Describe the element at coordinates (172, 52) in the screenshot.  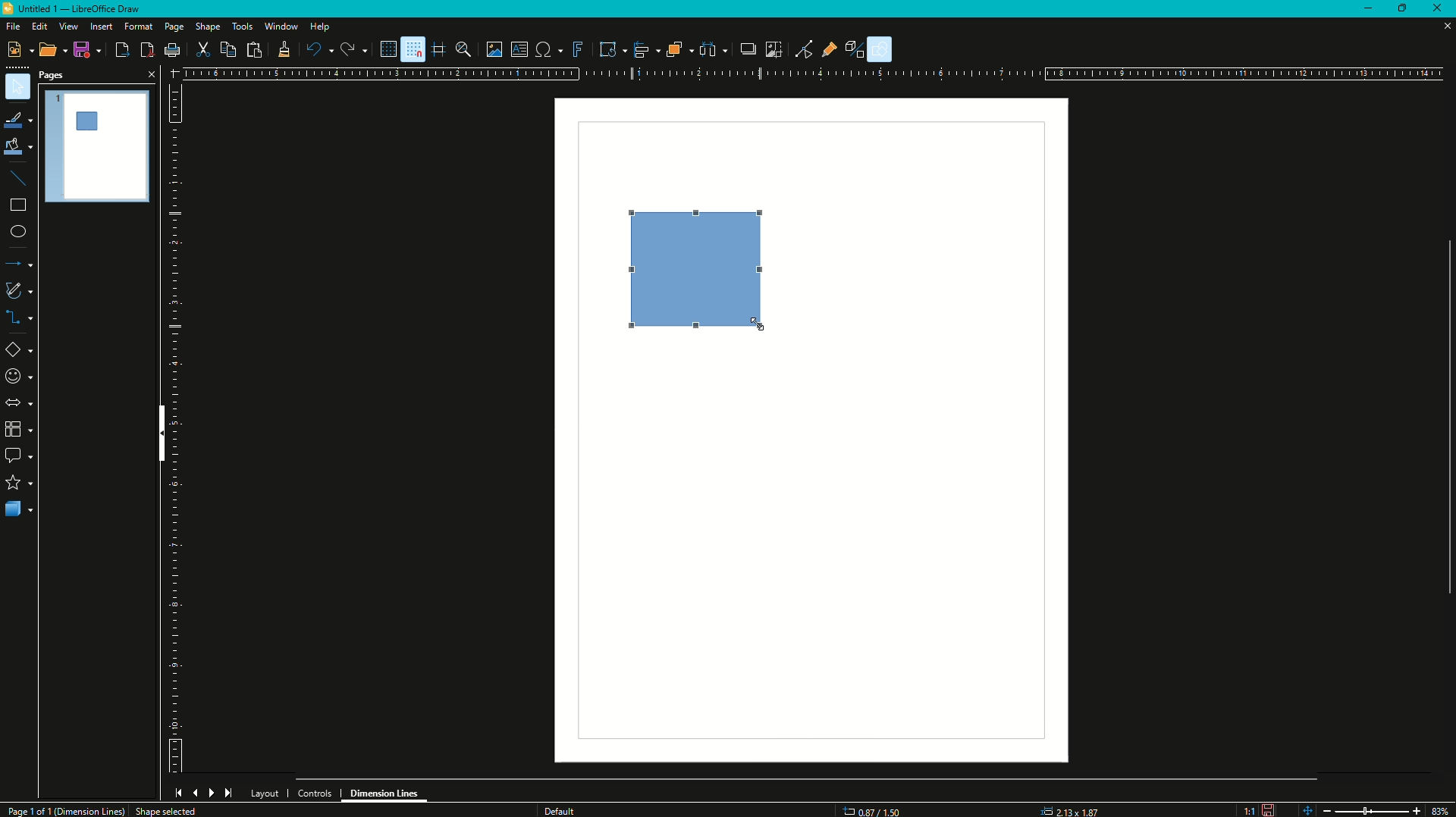
I see `Print` at that location.